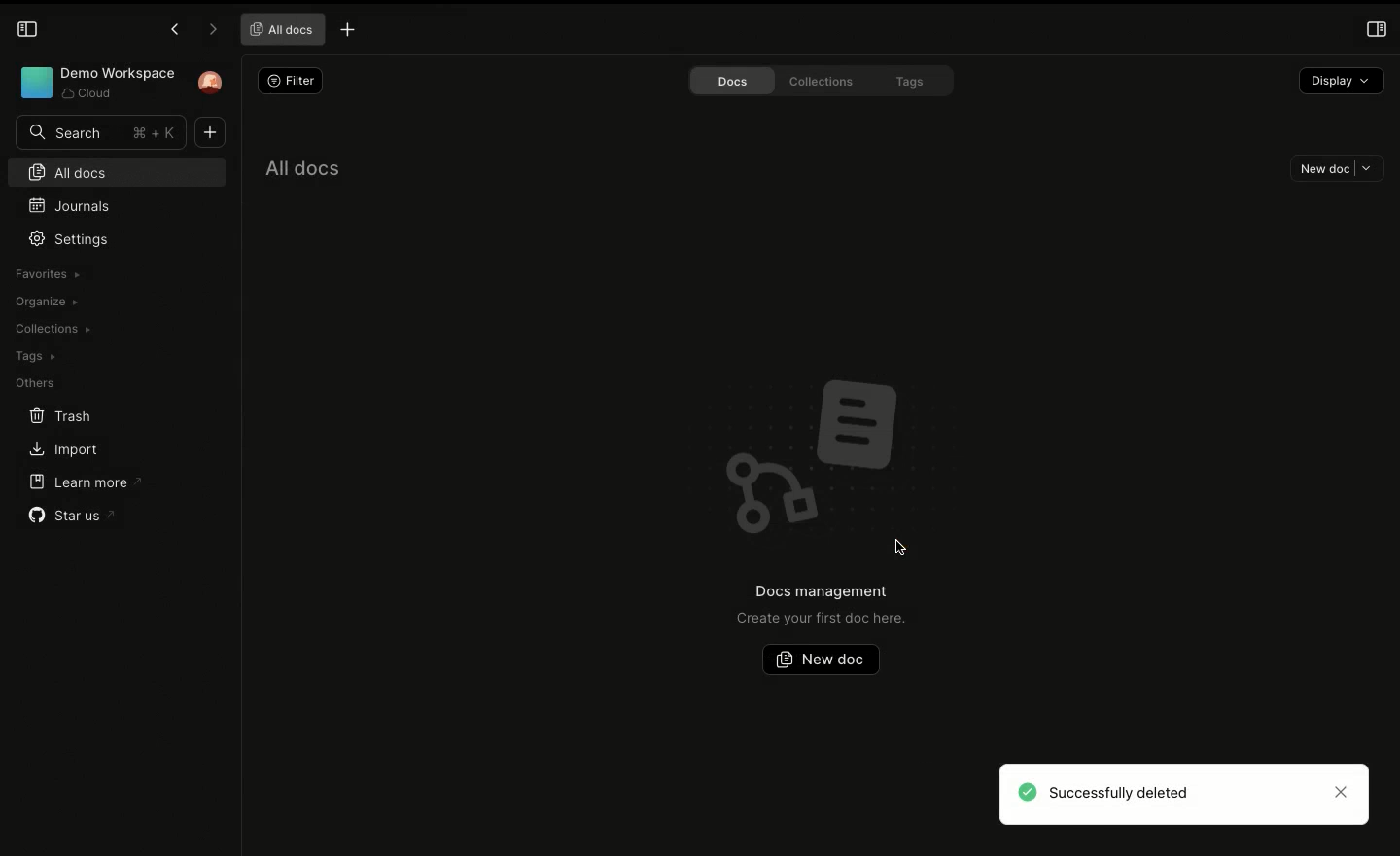 This screenshot has height=856, width=1400. What do you see at coordinates (209, 132) in the screenshot?
I see `Add new document` at bounding box center [209, 132].